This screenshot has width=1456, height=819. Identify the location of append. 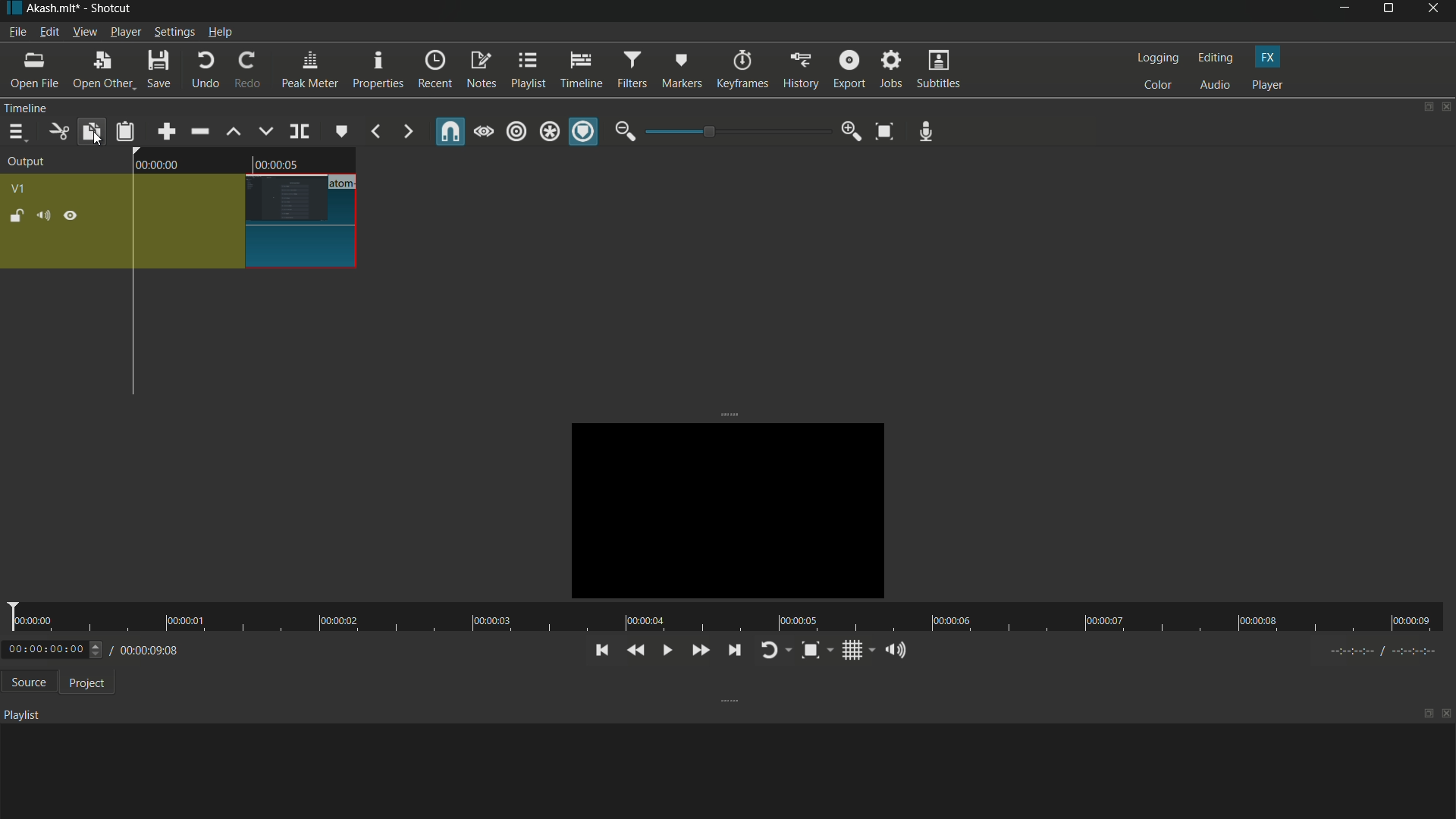
(168, 131).